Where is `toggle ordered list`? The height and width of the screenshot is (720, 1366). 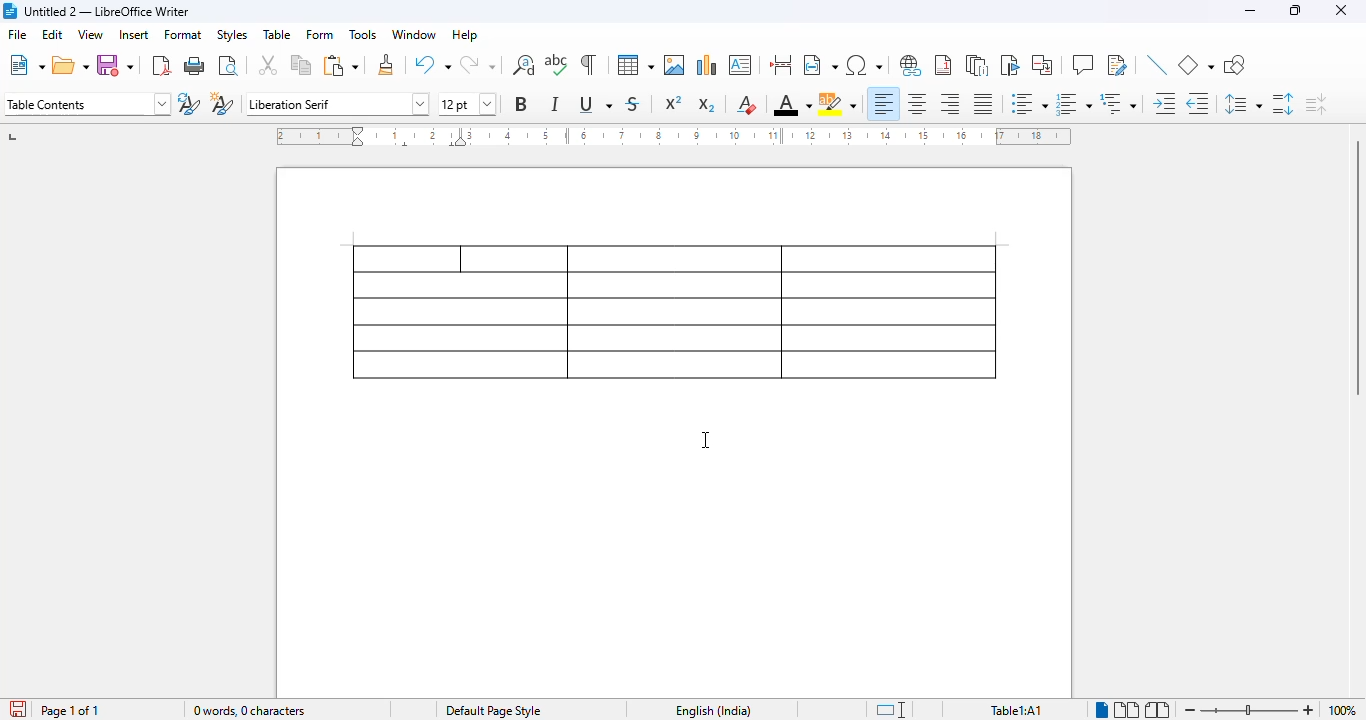 toggle ordered list is located at coordinates (1074, 104).